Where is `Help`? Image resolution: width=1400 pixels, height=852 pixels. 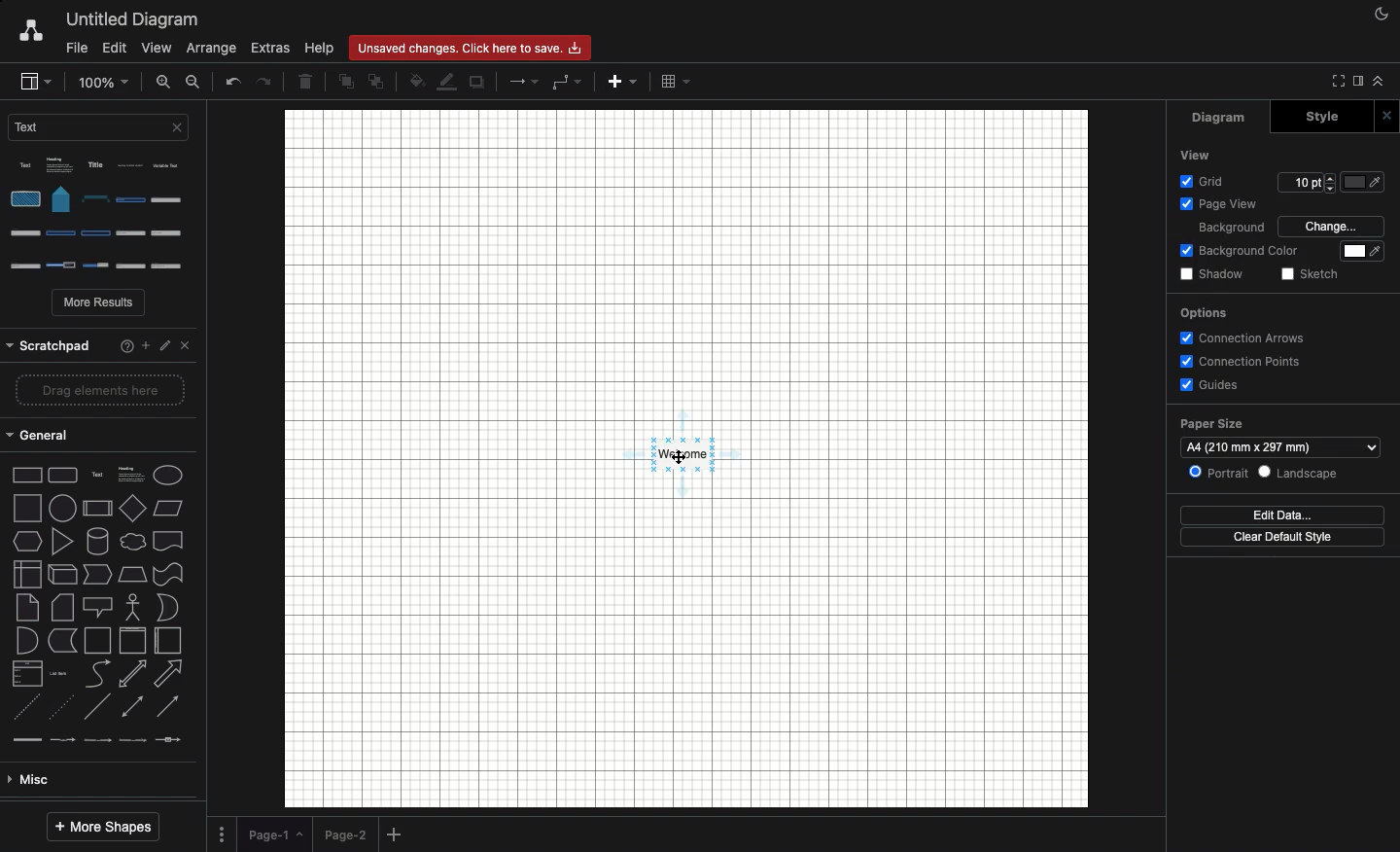 Help is located at coordinates (319, 49).